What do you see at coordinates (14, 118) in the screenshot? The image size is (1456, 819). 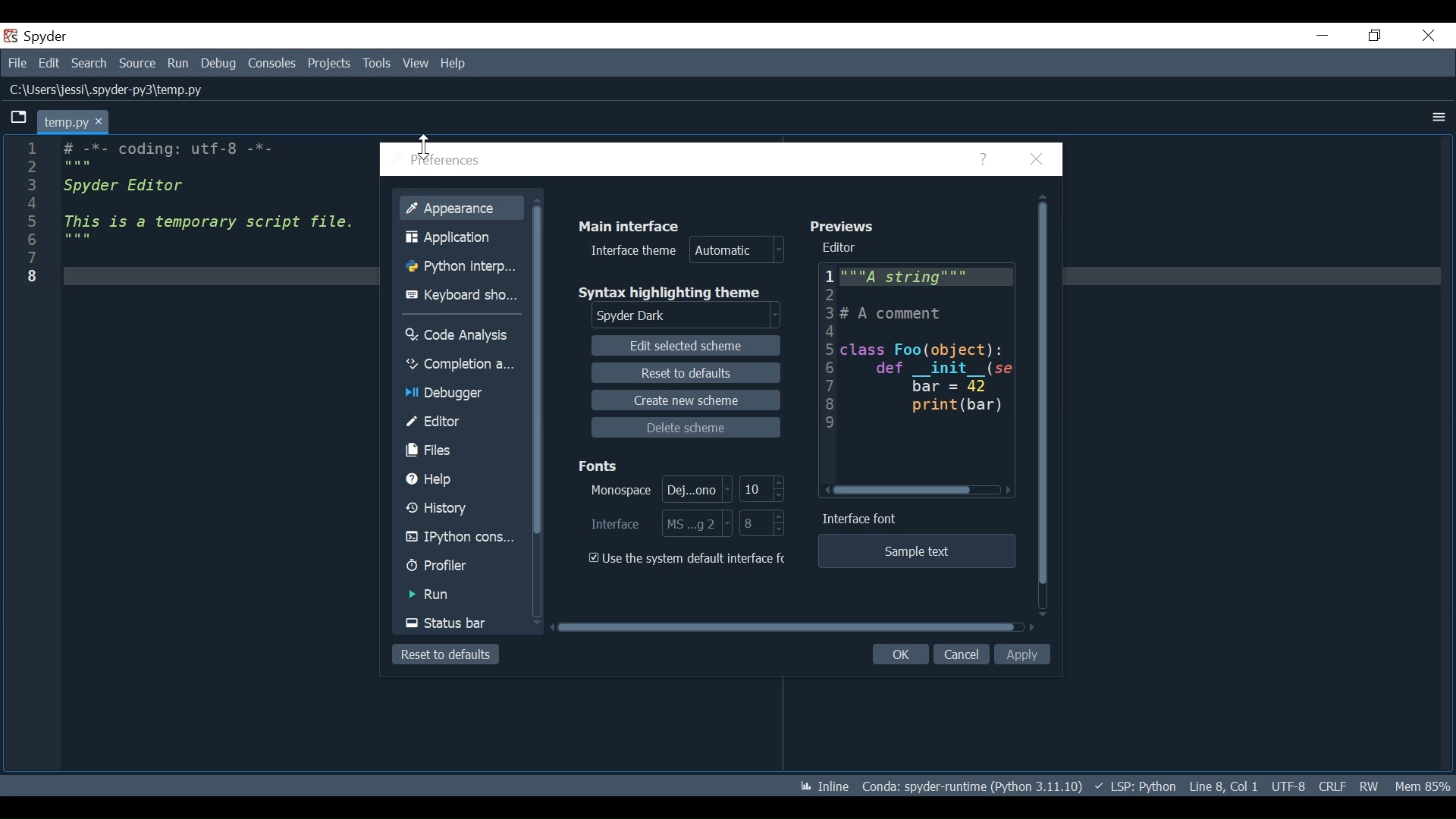 I see `Browse Tabs` at bounding box center [14, 118].